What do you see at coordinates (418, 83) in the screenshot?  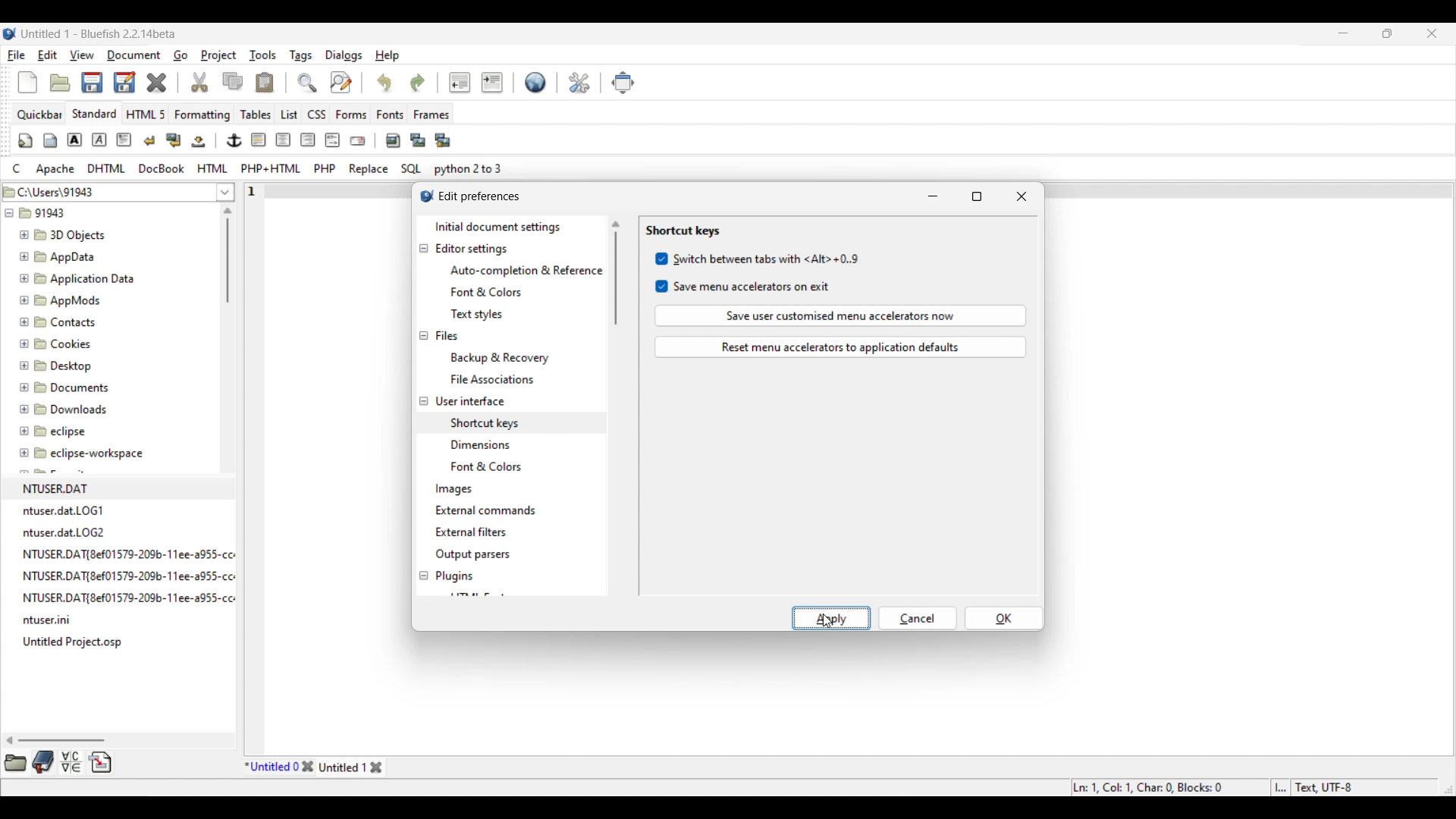 I see `Redo` at bounding box center [418, 83].